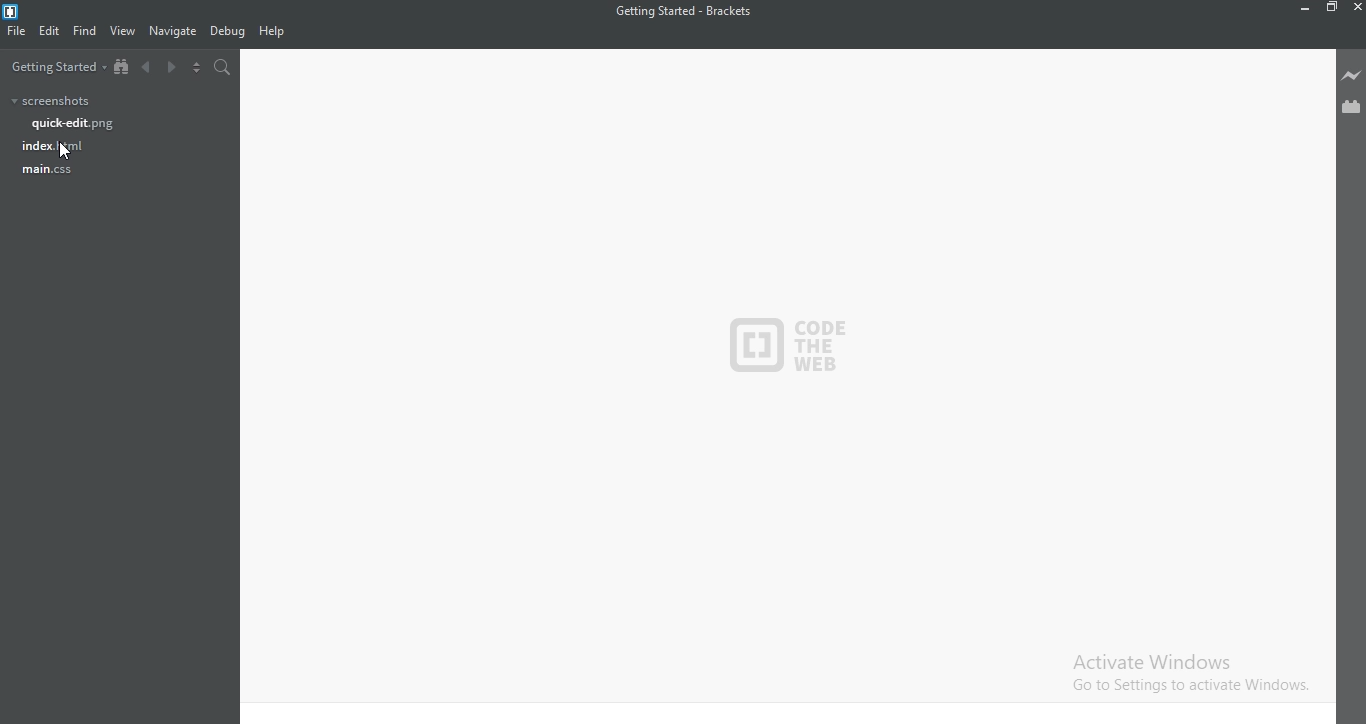  What do you see at coordinates (77, 124) in the screenshot?
I see `quick-edit.png` at bounding box center [77, 124].